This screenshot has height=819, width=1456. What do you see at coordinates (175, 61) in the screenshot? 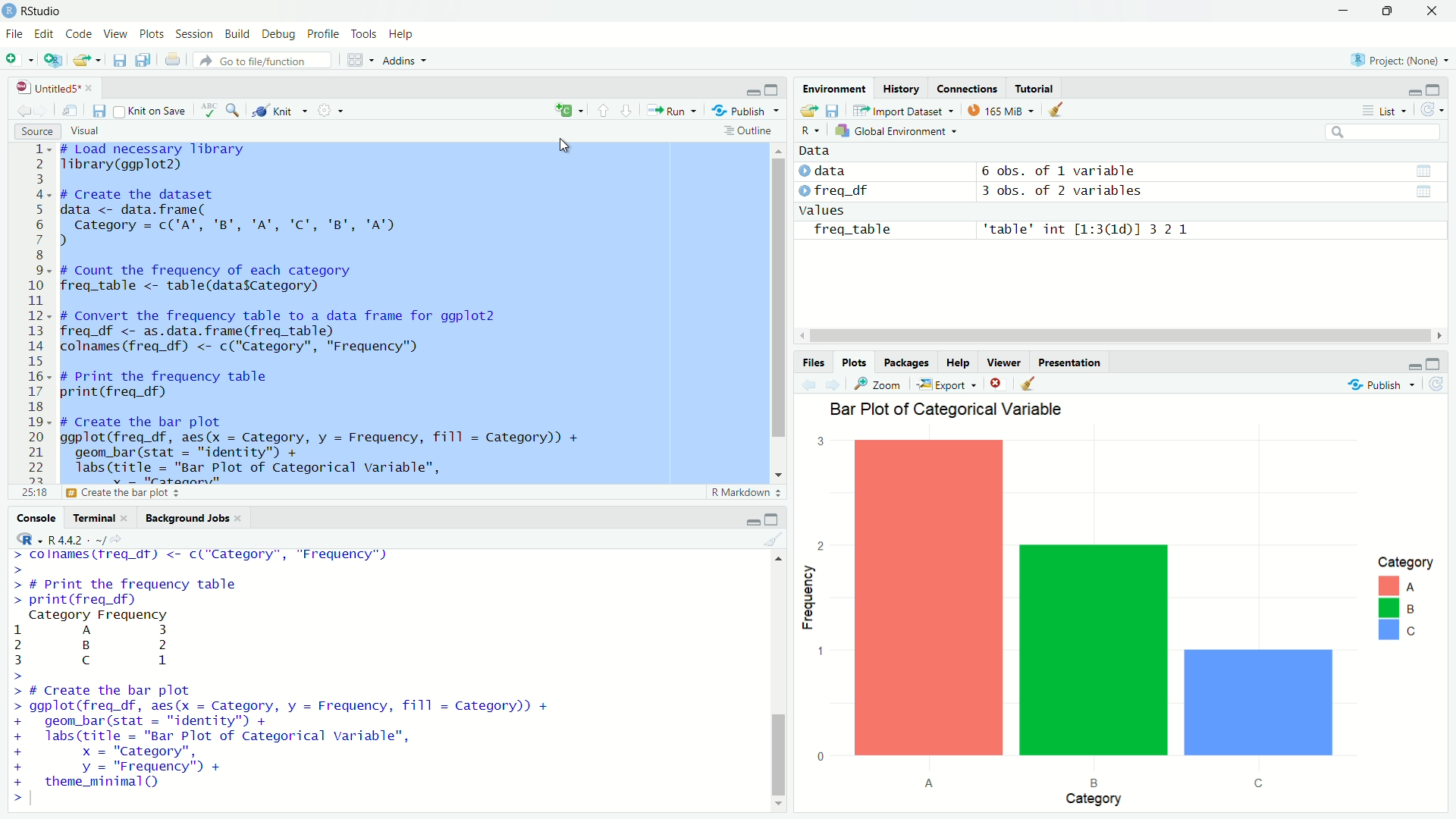
I see `print current file` at bounding box center [175, 61].